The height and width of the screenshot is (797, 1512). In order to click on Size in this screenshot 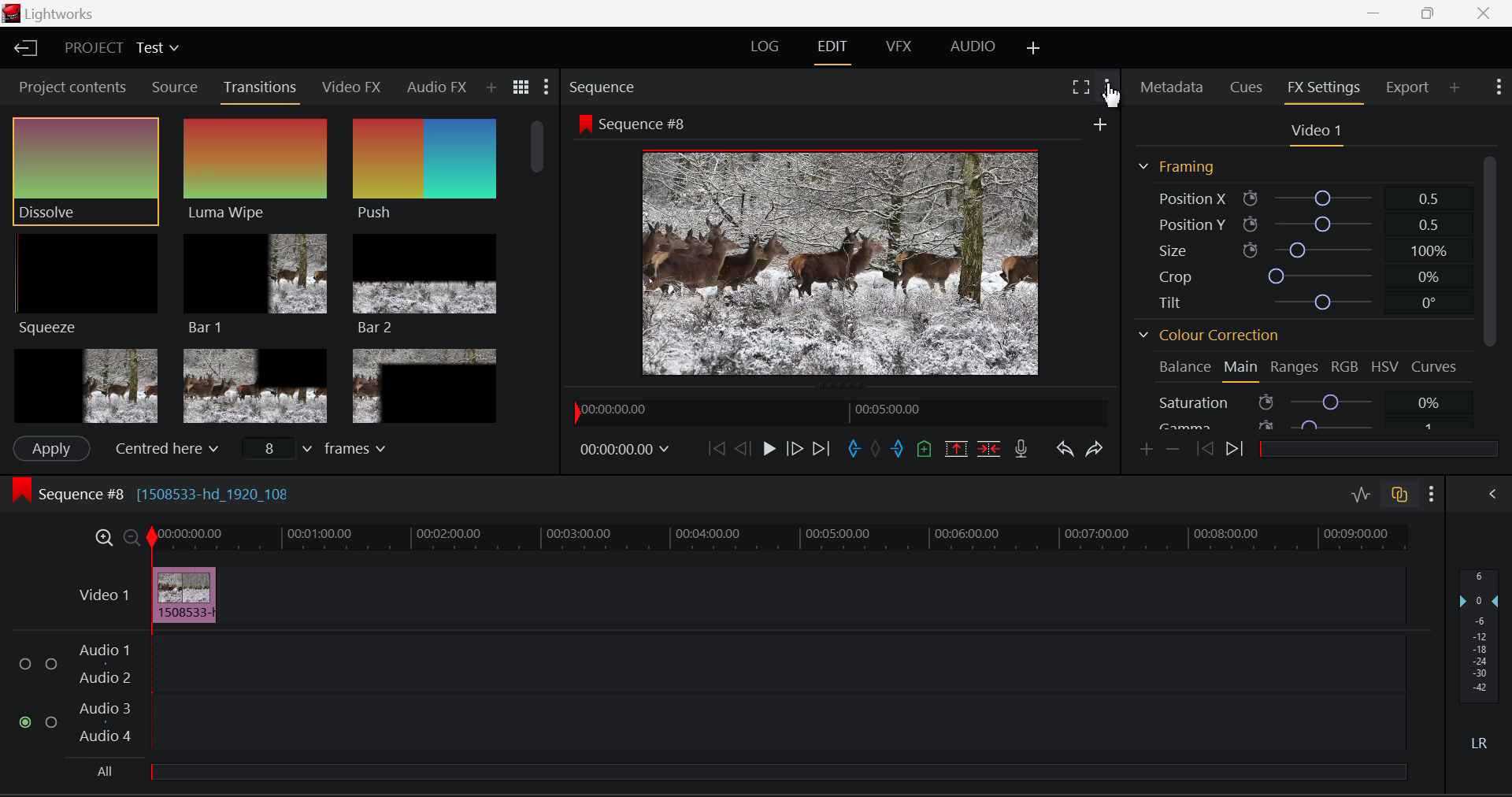, I will do `click(1306, 247)`.